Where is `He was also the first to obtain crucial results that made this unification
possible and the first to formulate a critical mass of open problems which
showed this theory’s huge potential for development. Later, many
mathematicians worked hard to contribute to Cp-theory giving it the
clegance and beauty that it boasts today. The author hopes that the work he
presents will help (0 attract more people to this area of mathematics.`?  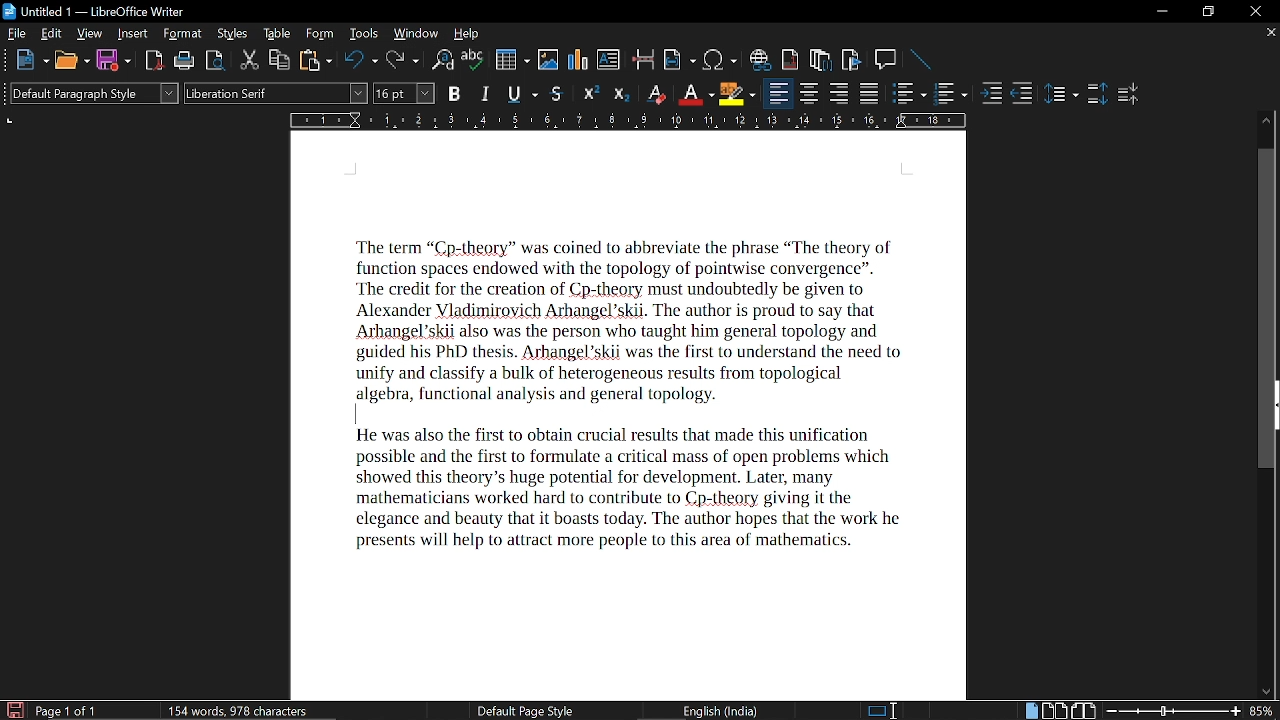
He was also the first to obtain crucial results that made this unification
possible and the first to formulate a critical mass of open problems which
showed this theory’s huge potential for development. Later, many
mathematicians worked hard to contribute to Cp-theory giving it the
clegance and beauty that it boasts today. The author hopes that the work he
presents will help (0 attract more people to this area of mathematics. is located at coordinates (641, 490).